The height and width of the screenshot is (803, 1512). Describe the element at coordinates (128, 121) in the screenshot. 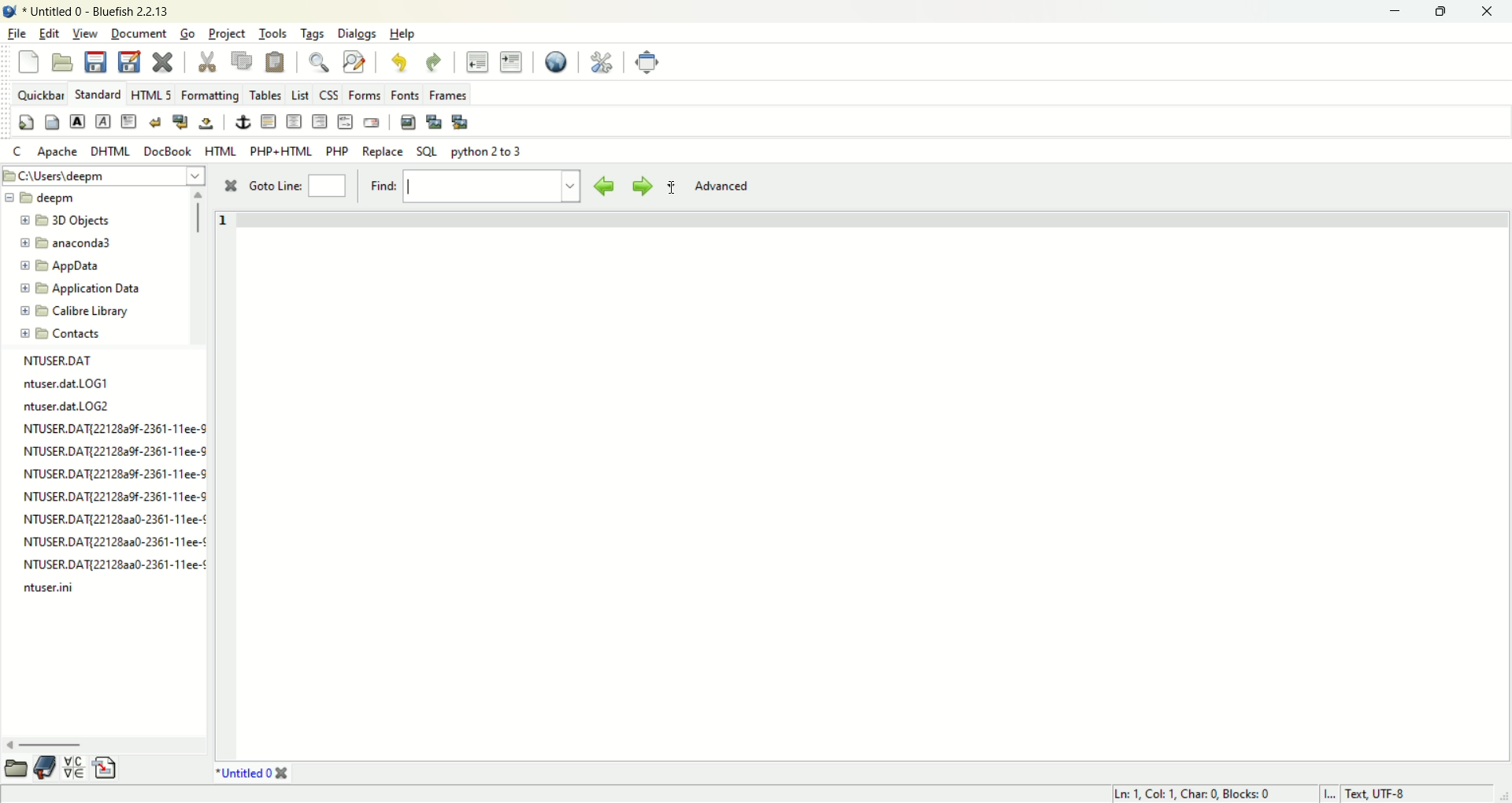

I see `paragraph` at that location.